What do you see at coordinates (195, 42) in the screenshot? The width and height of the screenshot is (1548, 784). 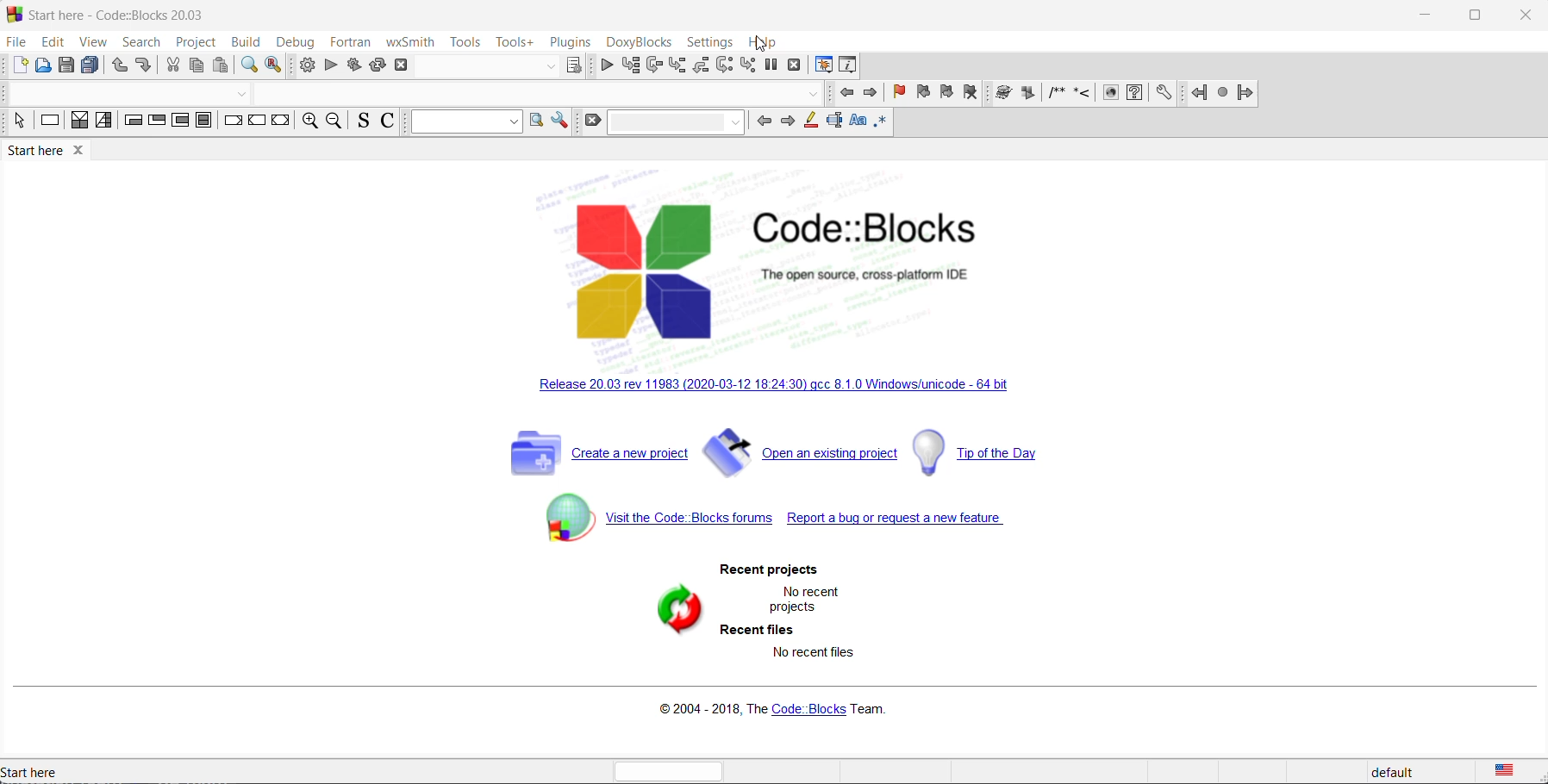 I see `project` at bounding box center [195, 42].